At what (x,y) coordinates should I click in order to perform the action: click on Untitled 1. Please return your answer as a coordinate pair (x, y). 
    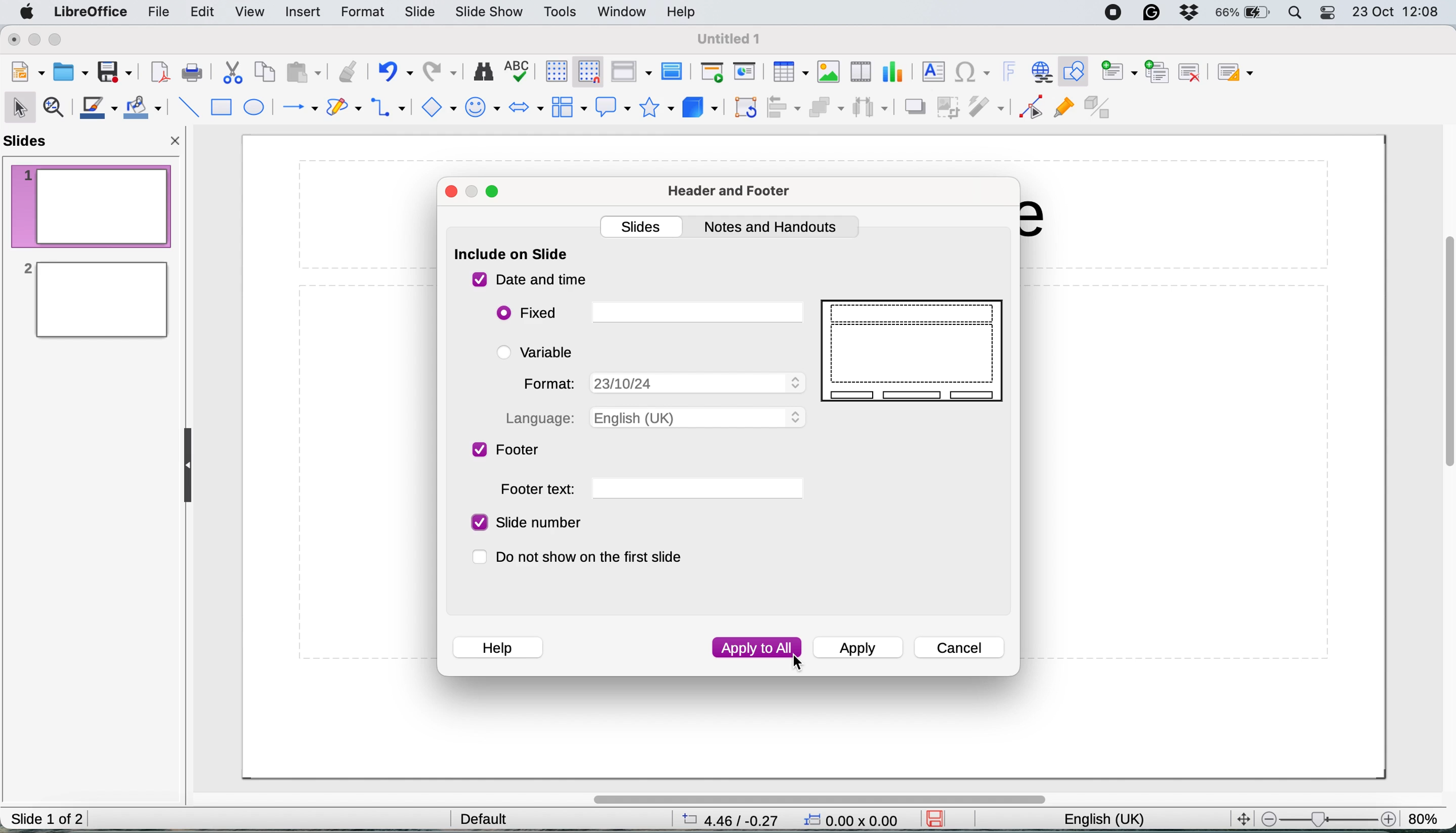
    Looking at the image, I should click on (730, 39).